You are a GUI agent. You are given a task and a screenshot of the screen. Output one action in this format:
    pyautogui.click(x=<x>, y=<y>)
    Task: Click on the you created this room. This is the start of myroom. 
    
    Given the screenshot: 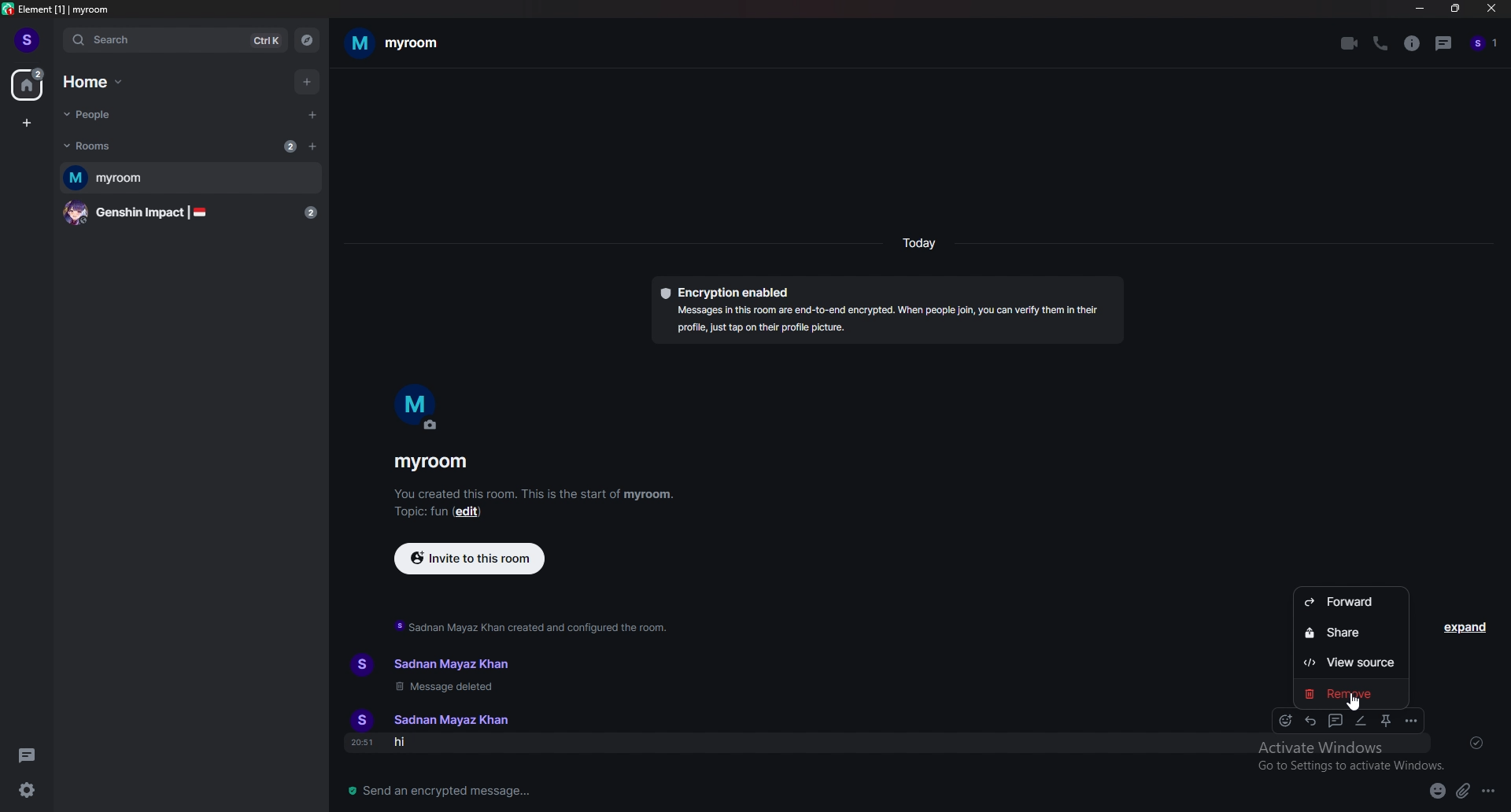 What is the action you would take?
    pyautogui.click(x=534, y=493)
    